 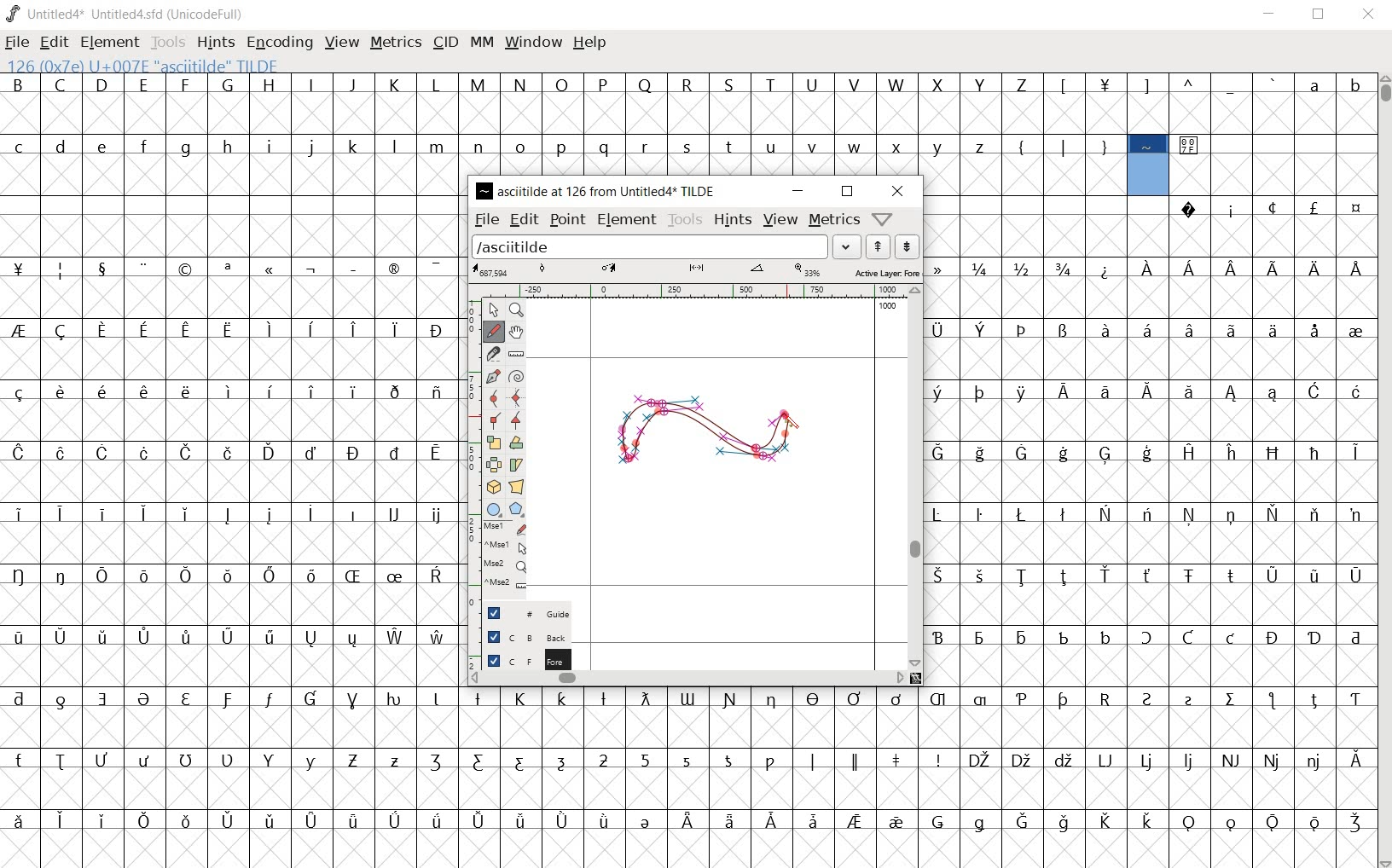 I want to click on VIEW, so click(x=339, y=42).